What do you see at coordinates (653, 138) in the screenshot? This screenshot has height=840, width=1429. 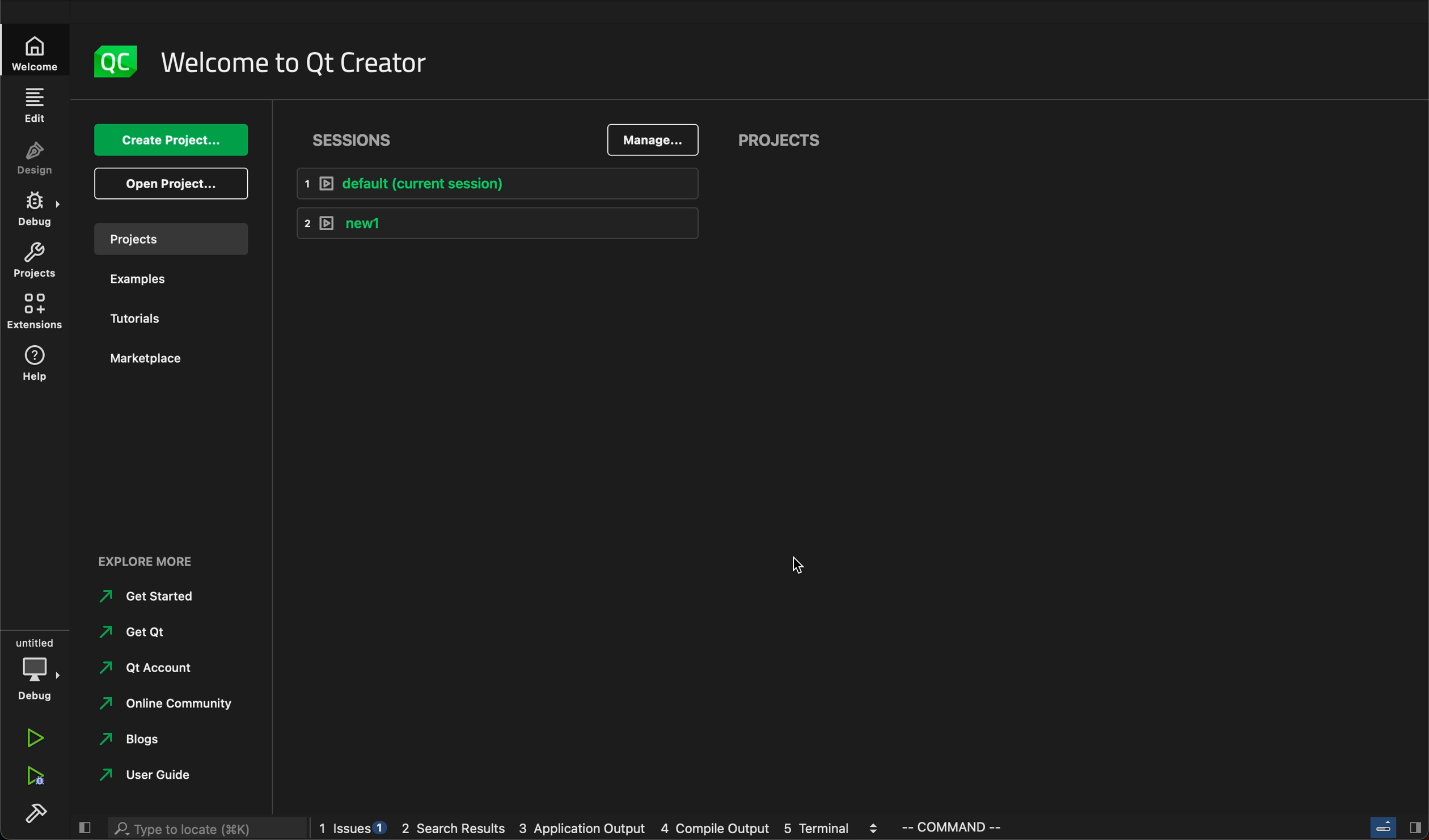 I see `manage` at bounding box center [653, 138].